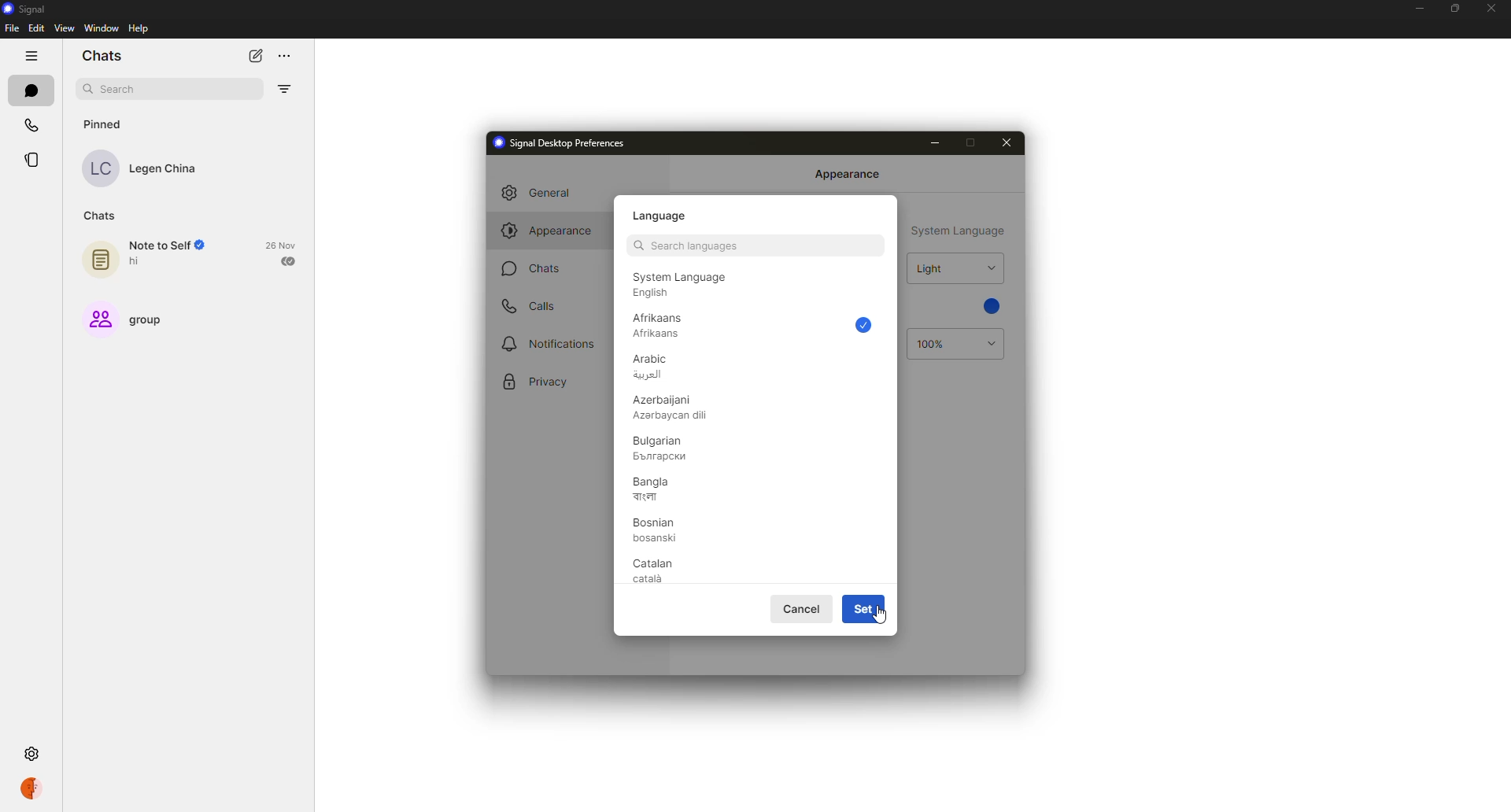  I want to click on bosian, so click(656, 530).